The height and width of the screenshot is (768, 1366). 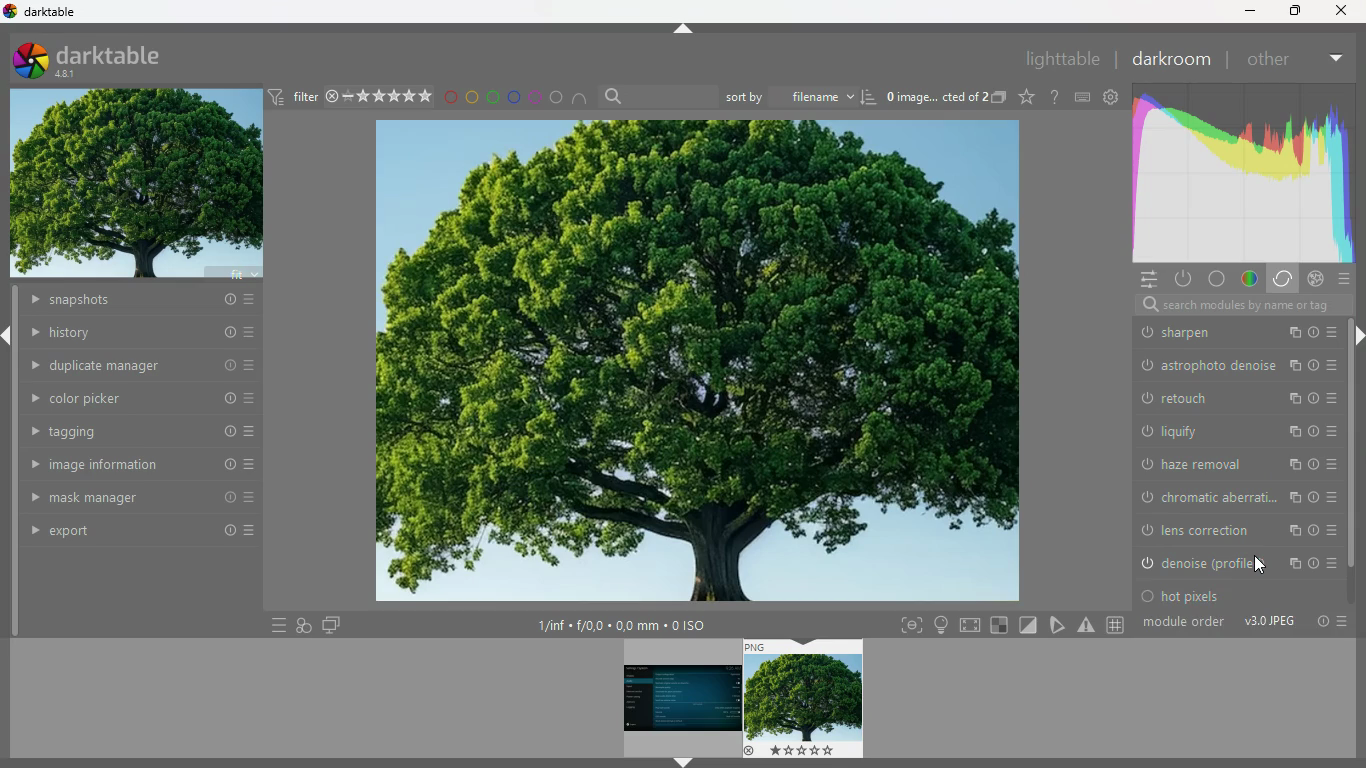 I want to click on light, so click(x=941, y=625).